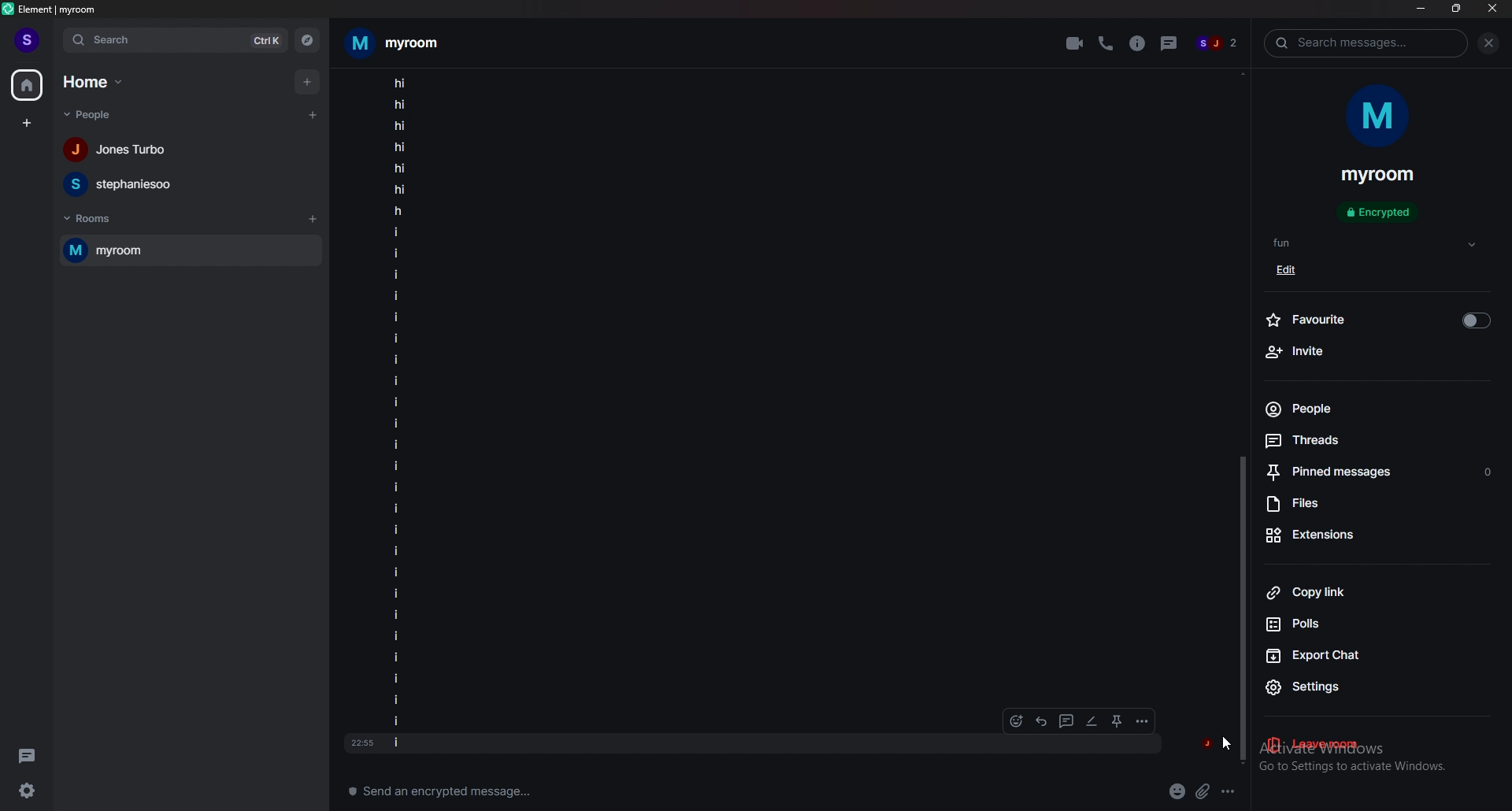 The image size is (1512, 811). Describe the element at coordinates (402, 41) in the screenshot. I see `myroom` at that location.